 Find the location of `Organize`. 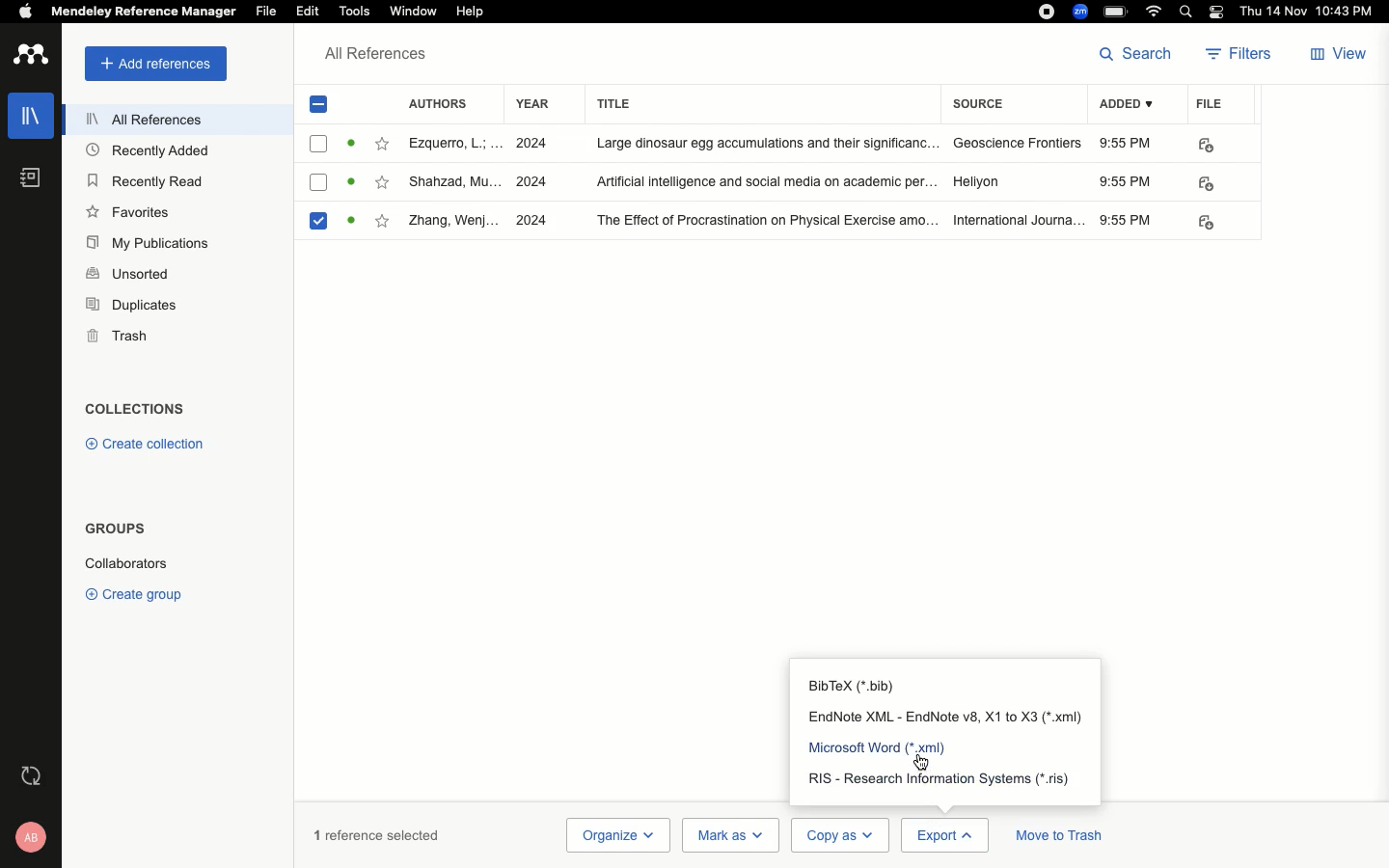

Organize is located at coordinates (616, 835).